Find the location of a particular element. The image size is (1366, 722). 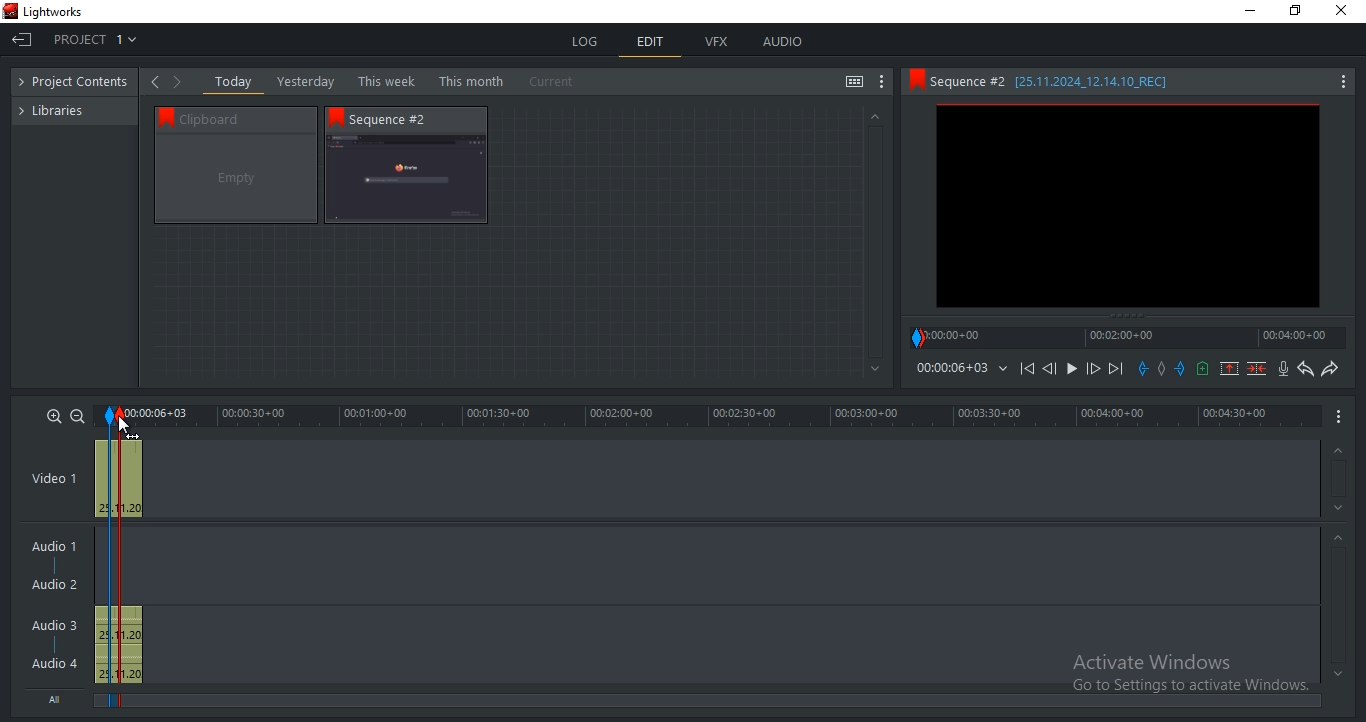

delete marked section is located at coordinates (1258, 368).